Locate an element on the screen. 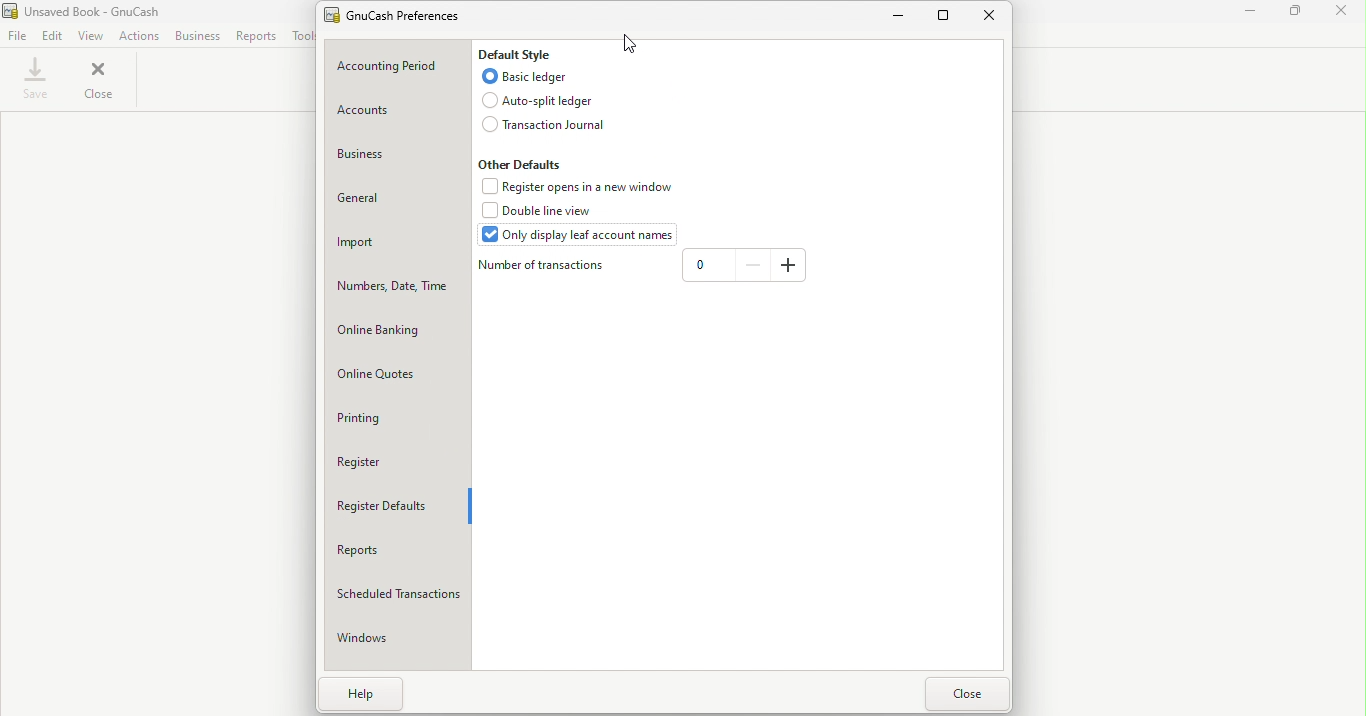  Windows is located at coordinates (398, 634).